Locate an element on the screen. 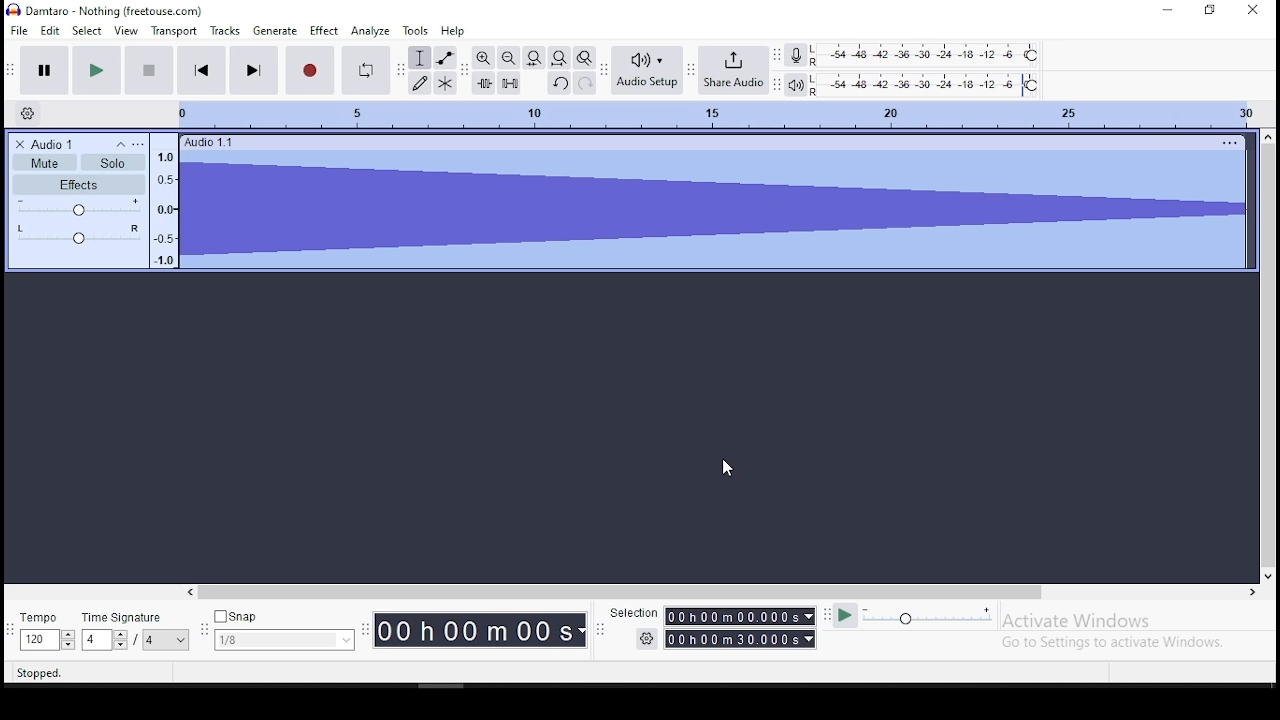 Image resolution: width=1280 pixels, height=720 pixels. select is located at coordinates (89, 32).